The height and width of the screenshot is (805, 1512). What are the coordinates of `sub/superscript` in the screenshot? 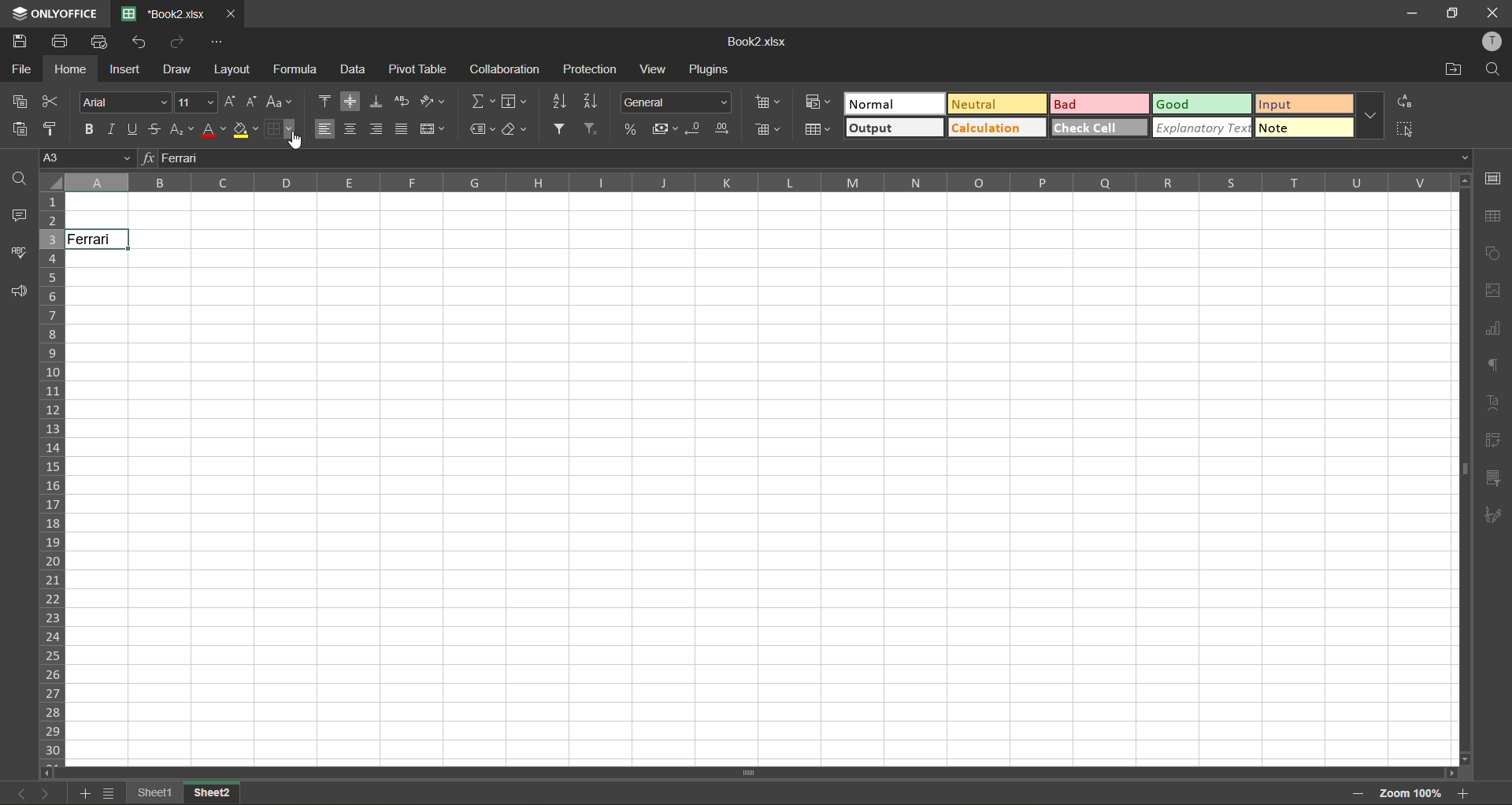 It's located at (184, 130).